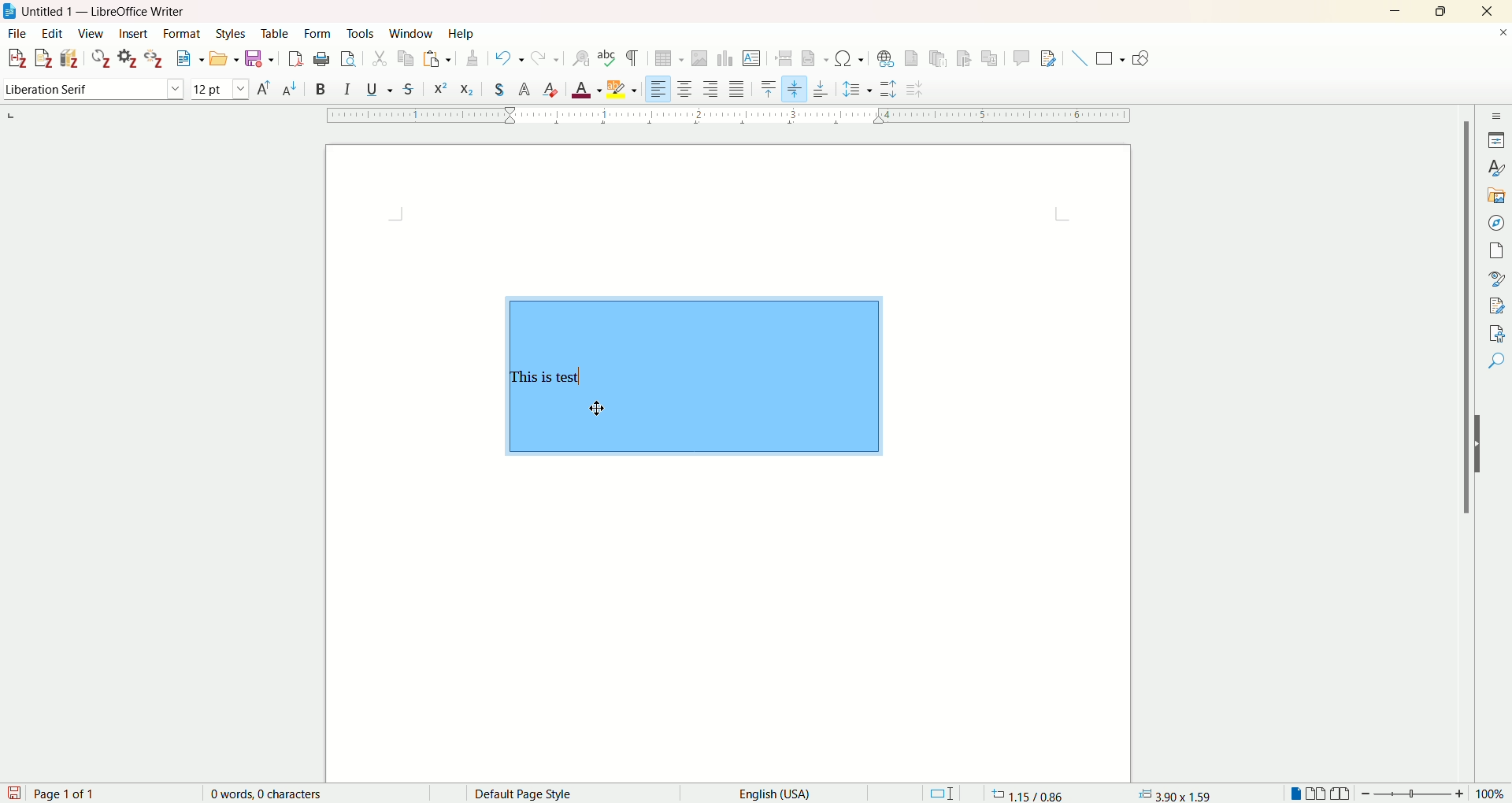 The height and width of the screenshot is (803, 1512). I want to click on insert chart, so click(726, 60).